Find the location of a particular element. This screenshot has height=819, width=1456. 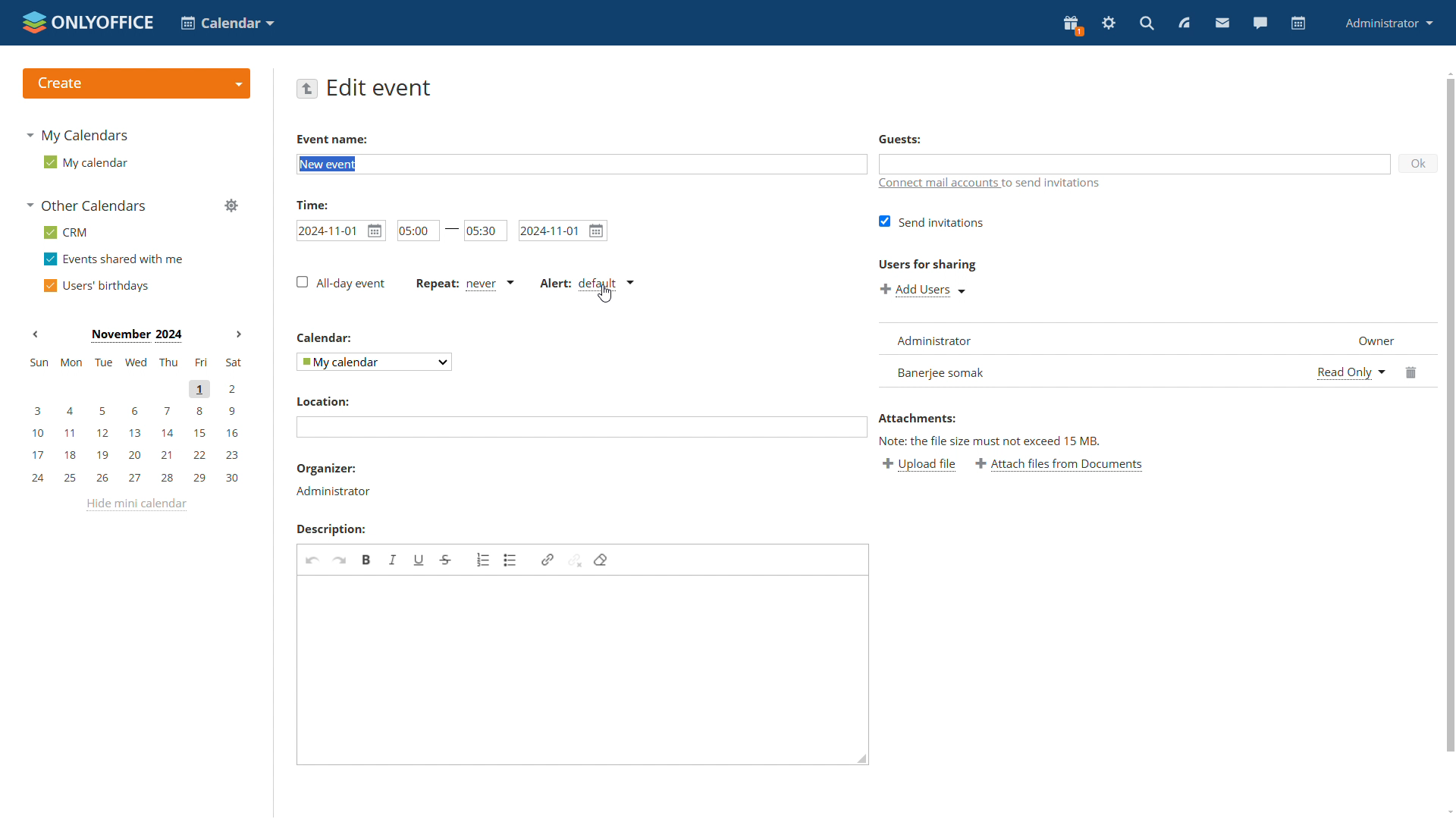

alert type is located at coordinates (589, 284).